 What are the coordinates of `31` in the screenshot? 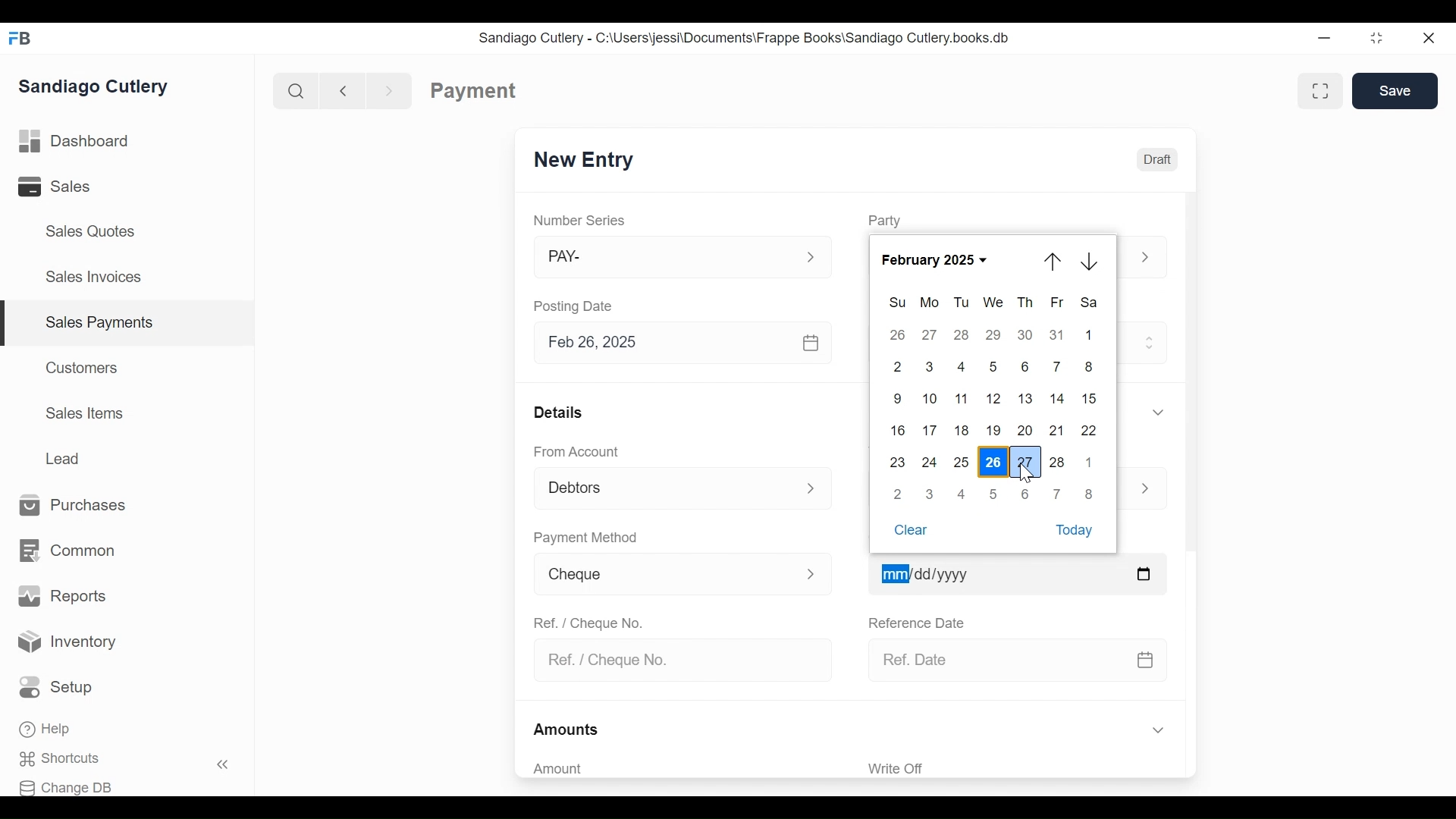 It's located at (1058, 334).